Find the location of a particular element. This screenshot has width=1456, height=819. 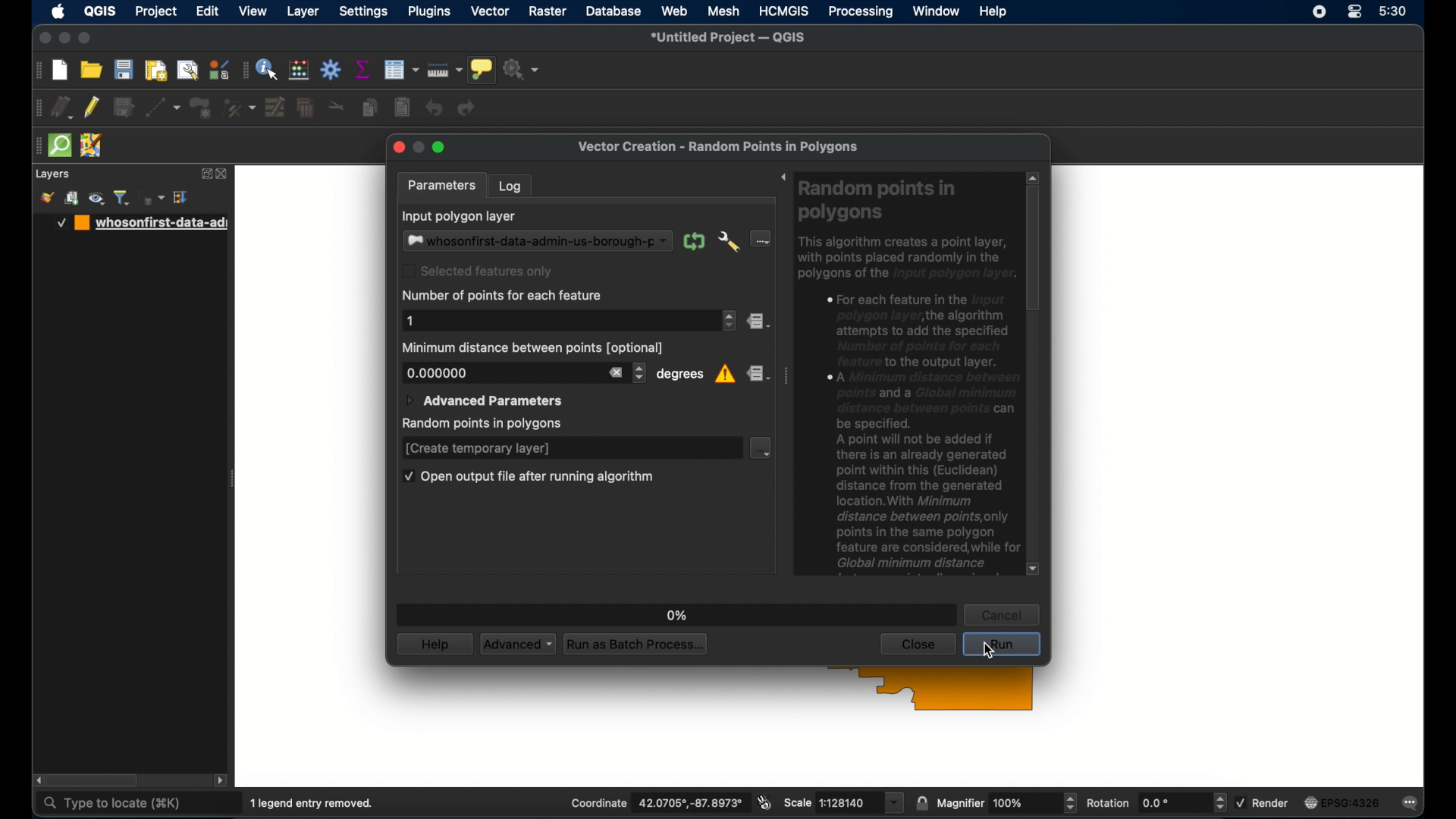

scroll box is located at coordinates (1034, 249).